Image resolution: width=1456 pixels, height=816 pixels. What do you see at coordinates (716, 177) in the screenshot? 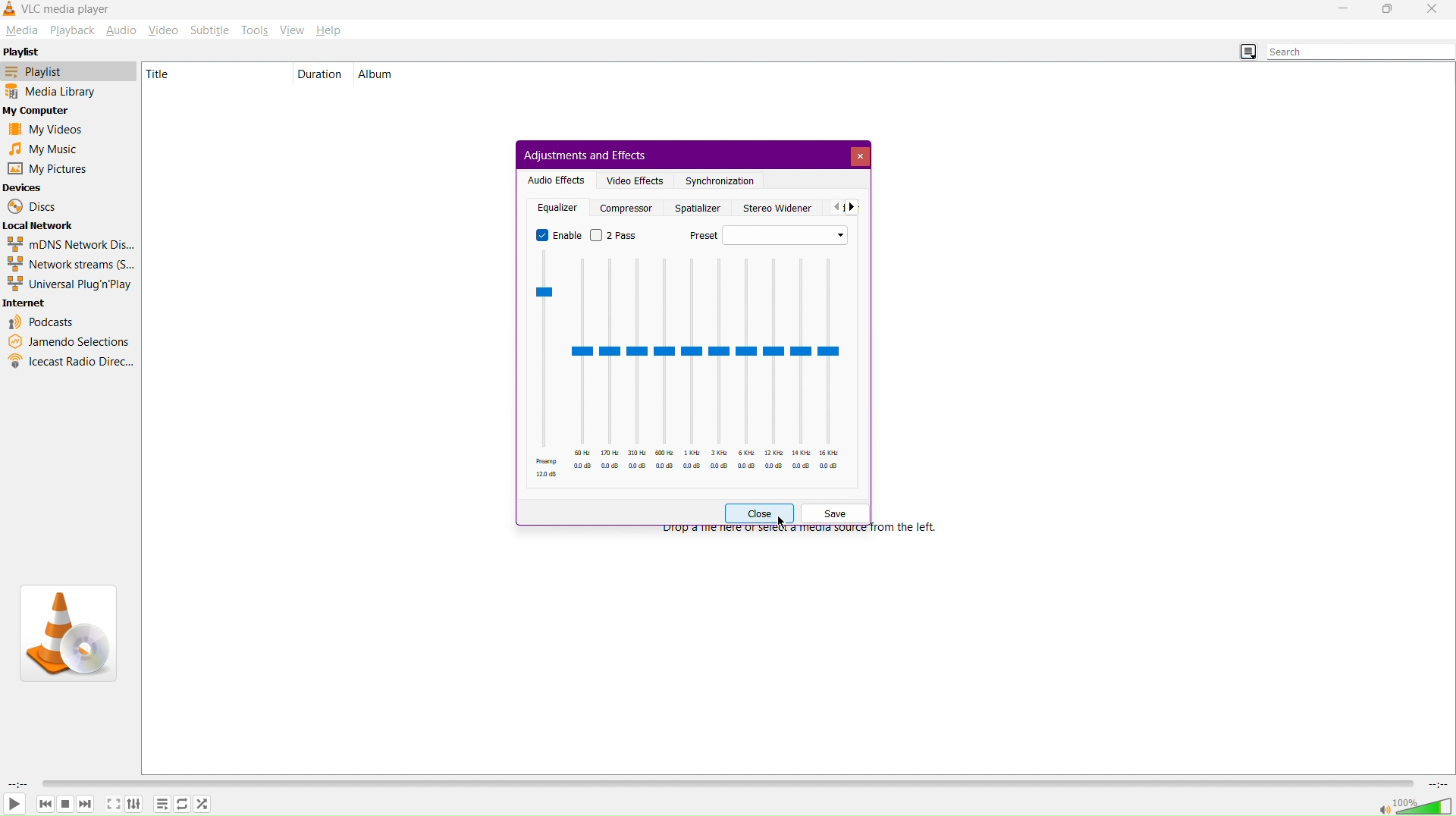
I see `Synchronization` at bounding box center [716, 177].